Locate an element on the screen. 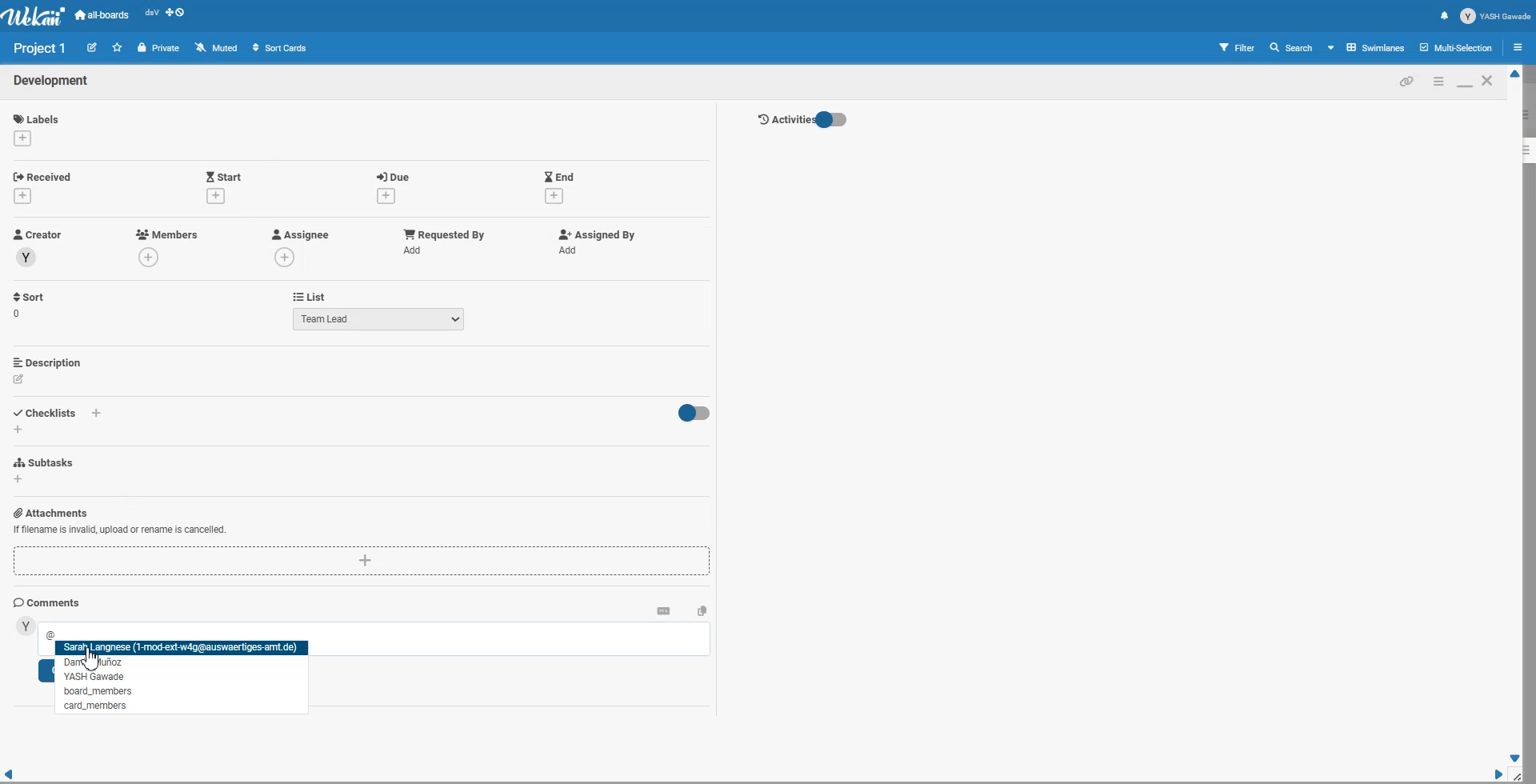  Show desktop drag handle is located at coordinates (177, 15).